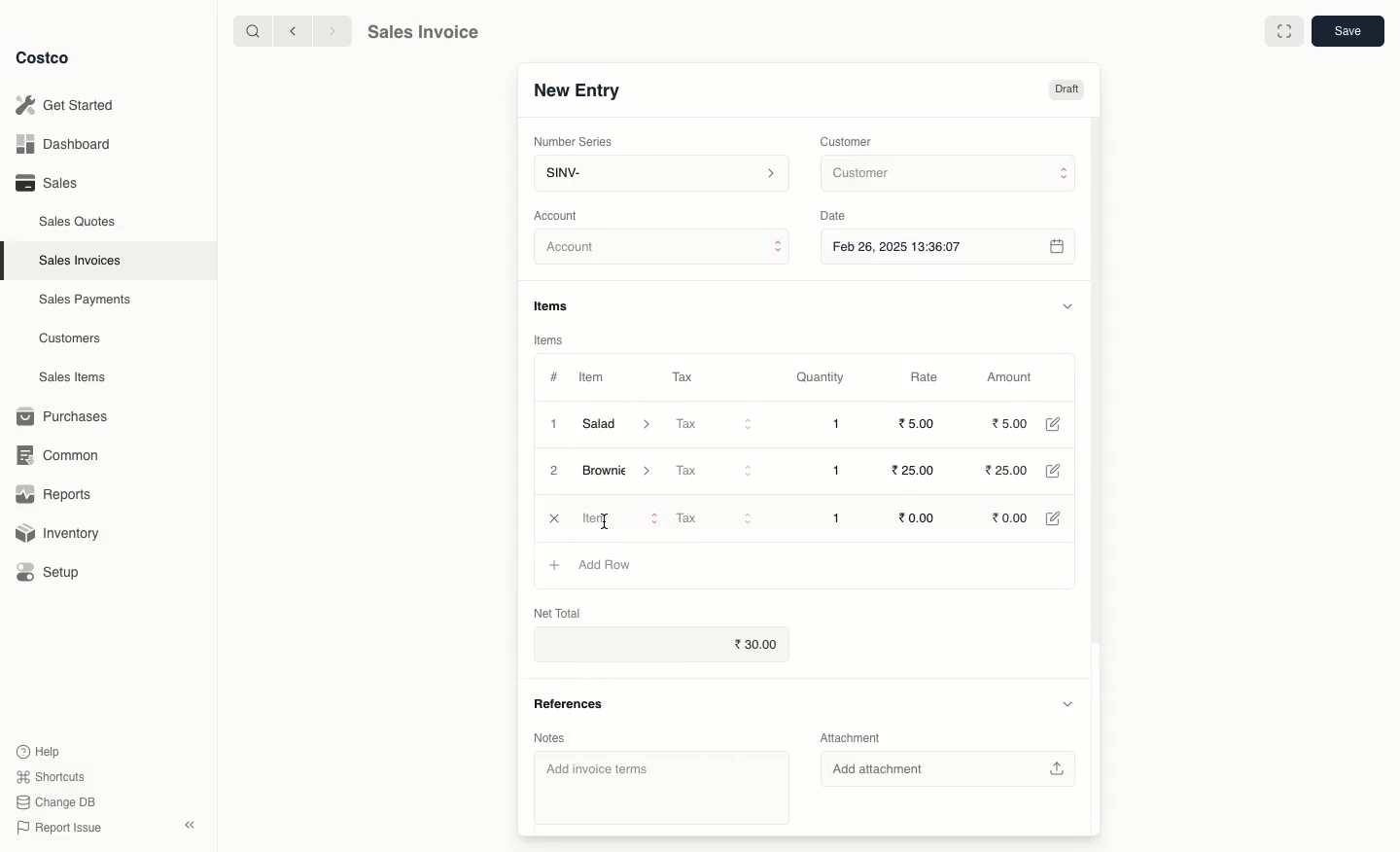  What do you see at coordinates (555, 567) in the screenshot?
I see `Add` at bounding box center [555, 567].